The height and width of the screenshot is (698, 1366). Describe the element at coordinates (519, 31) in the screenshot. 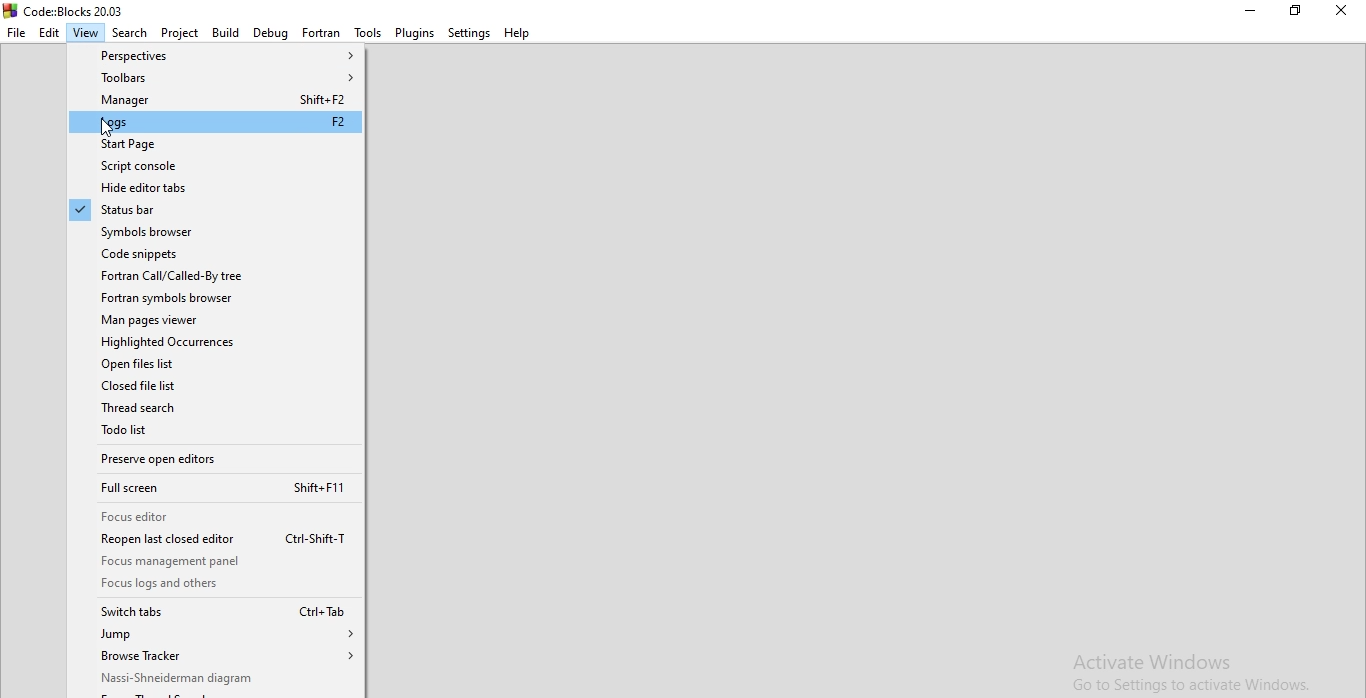

I see `Help` at that location.